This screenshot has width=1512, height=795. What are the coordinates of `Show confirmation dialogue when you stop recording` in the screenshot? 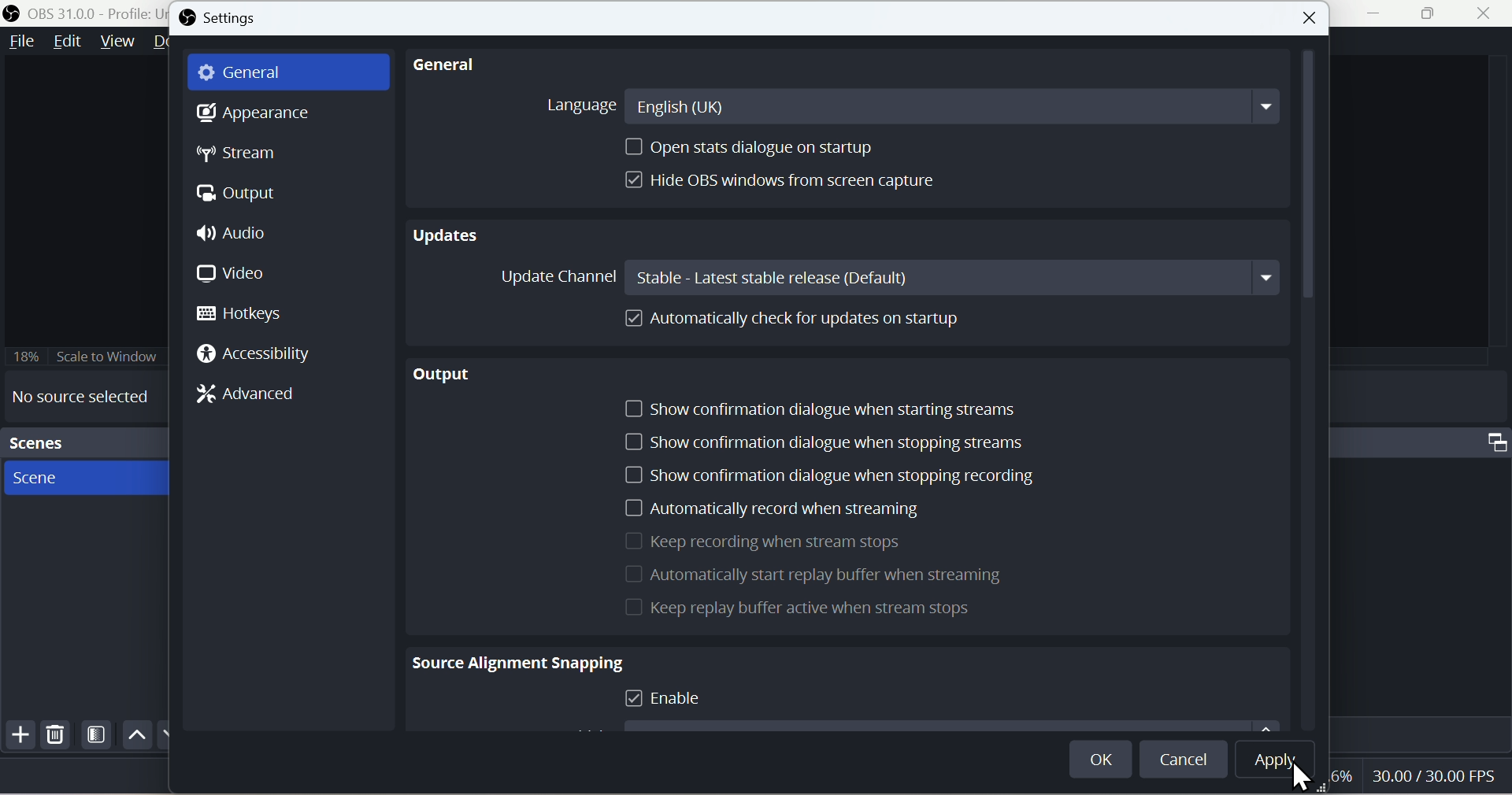 It's located at (823, 475).